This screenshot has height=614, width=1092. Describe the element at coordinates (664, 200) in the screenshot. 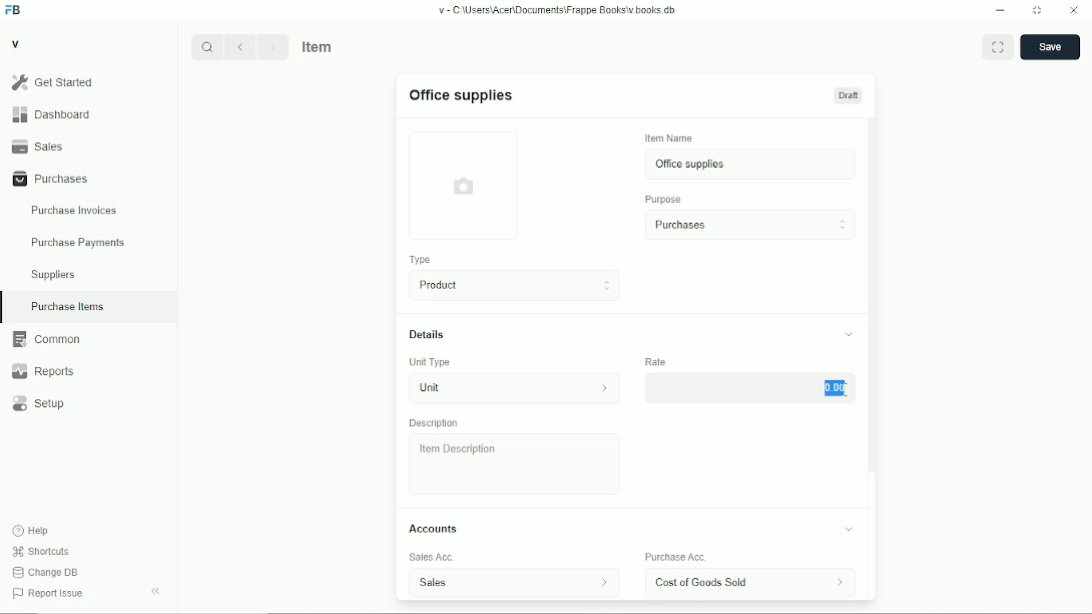

I see `purpose` at that location.